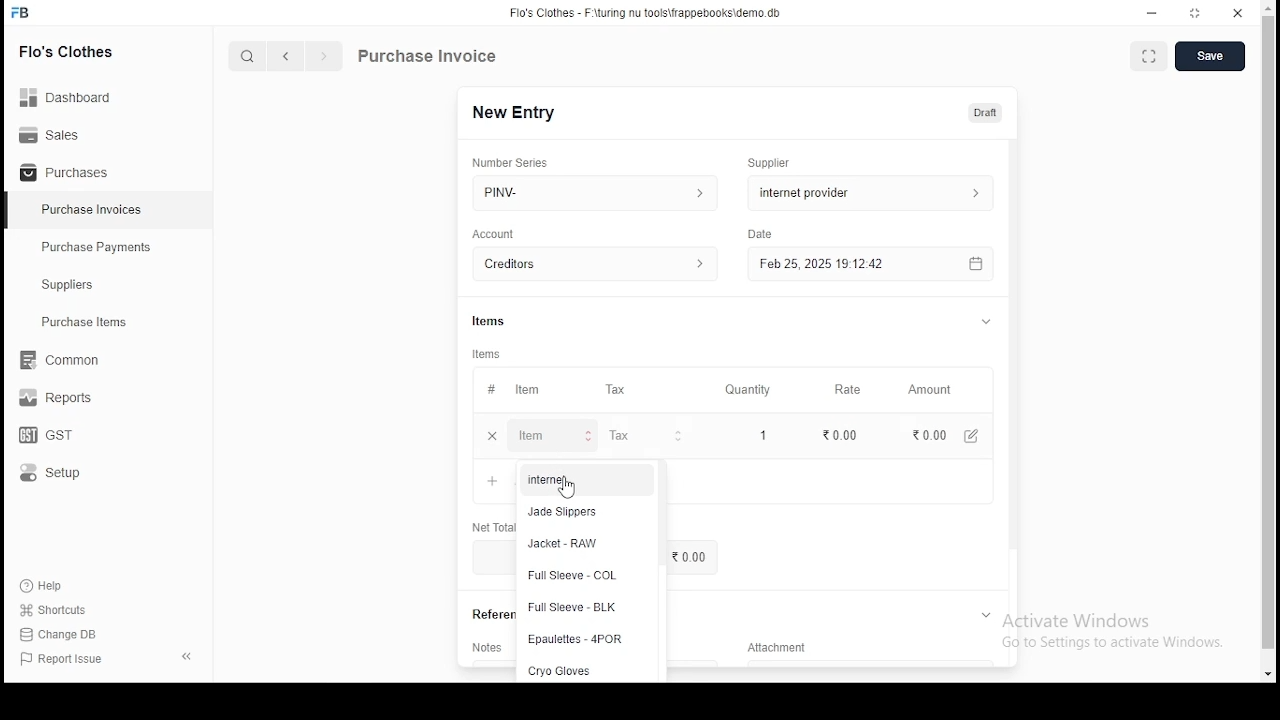 The image size is (1280, 720). Describe the element at coordinates (1268, 676) in the screenshot. I see `down arrow` at that location.